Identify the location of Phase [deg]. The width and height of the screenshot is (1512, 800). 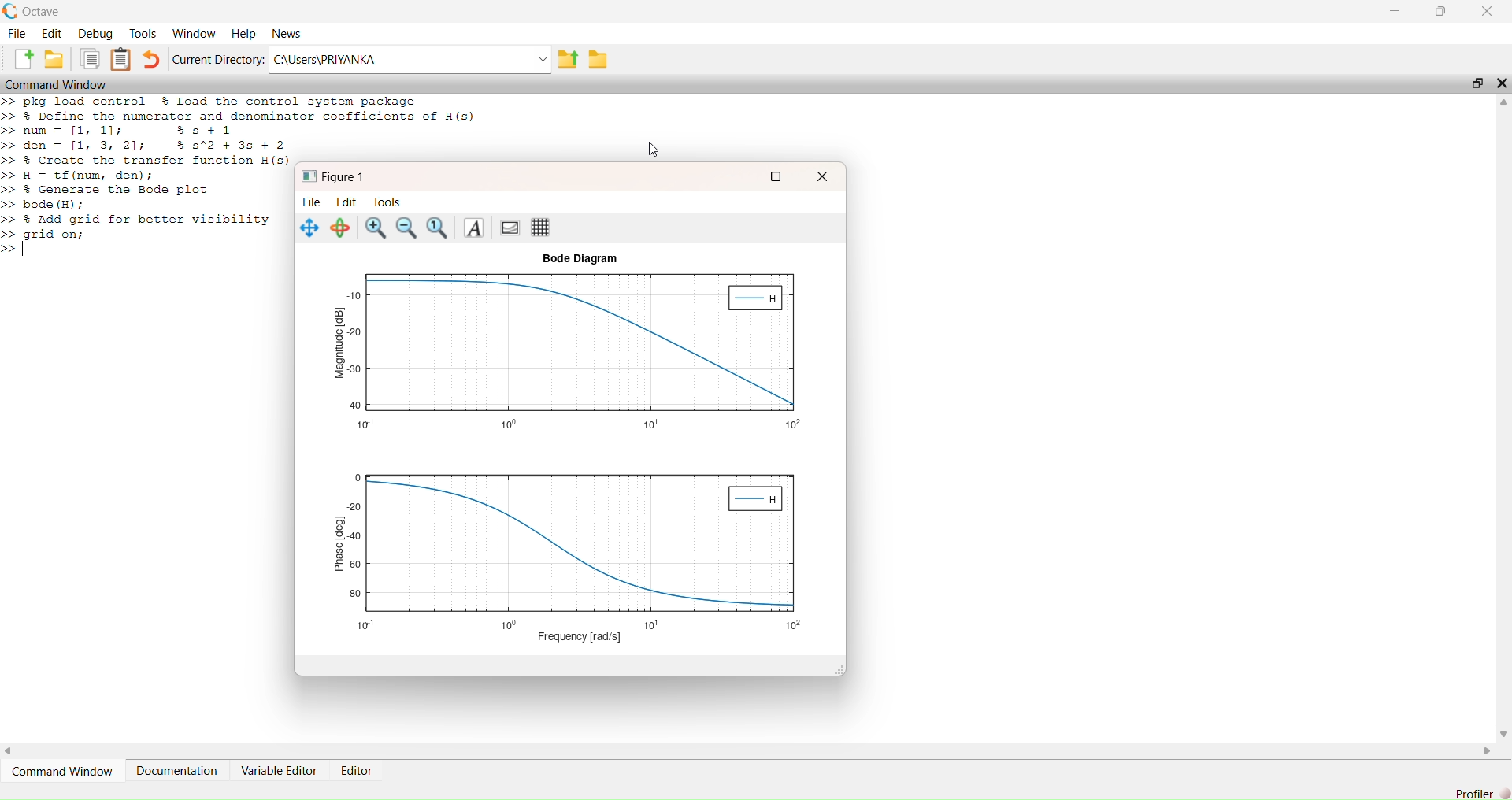
(339, 543).